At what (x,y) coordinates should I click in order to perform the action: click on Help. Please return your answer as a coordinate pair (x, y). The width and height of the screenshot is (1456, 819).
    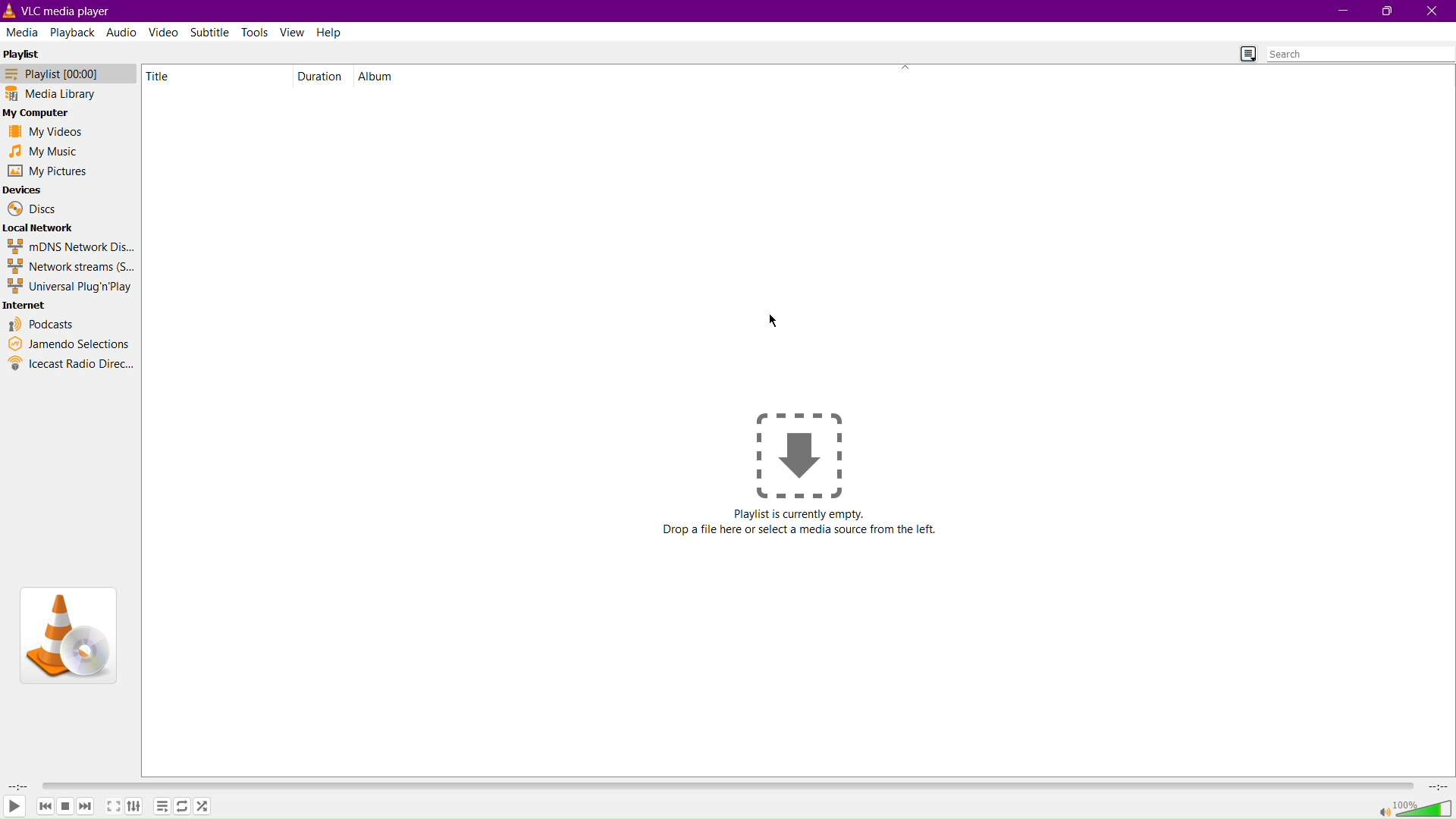
    Looking at the image, I should click on (331, 32).